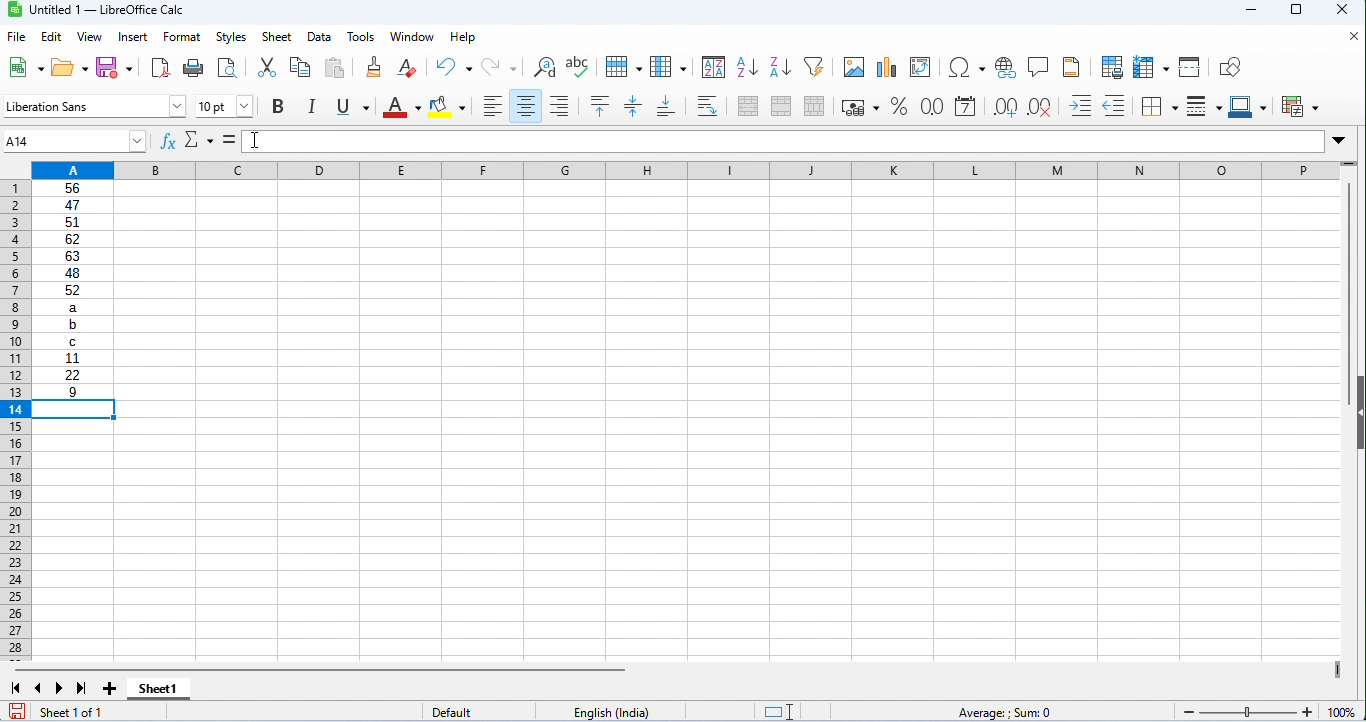 The width and height of the screenshot is (1366, 722). Describe the element at coordinates (853, 68) in the screenshot. I see `insert image` at that location.